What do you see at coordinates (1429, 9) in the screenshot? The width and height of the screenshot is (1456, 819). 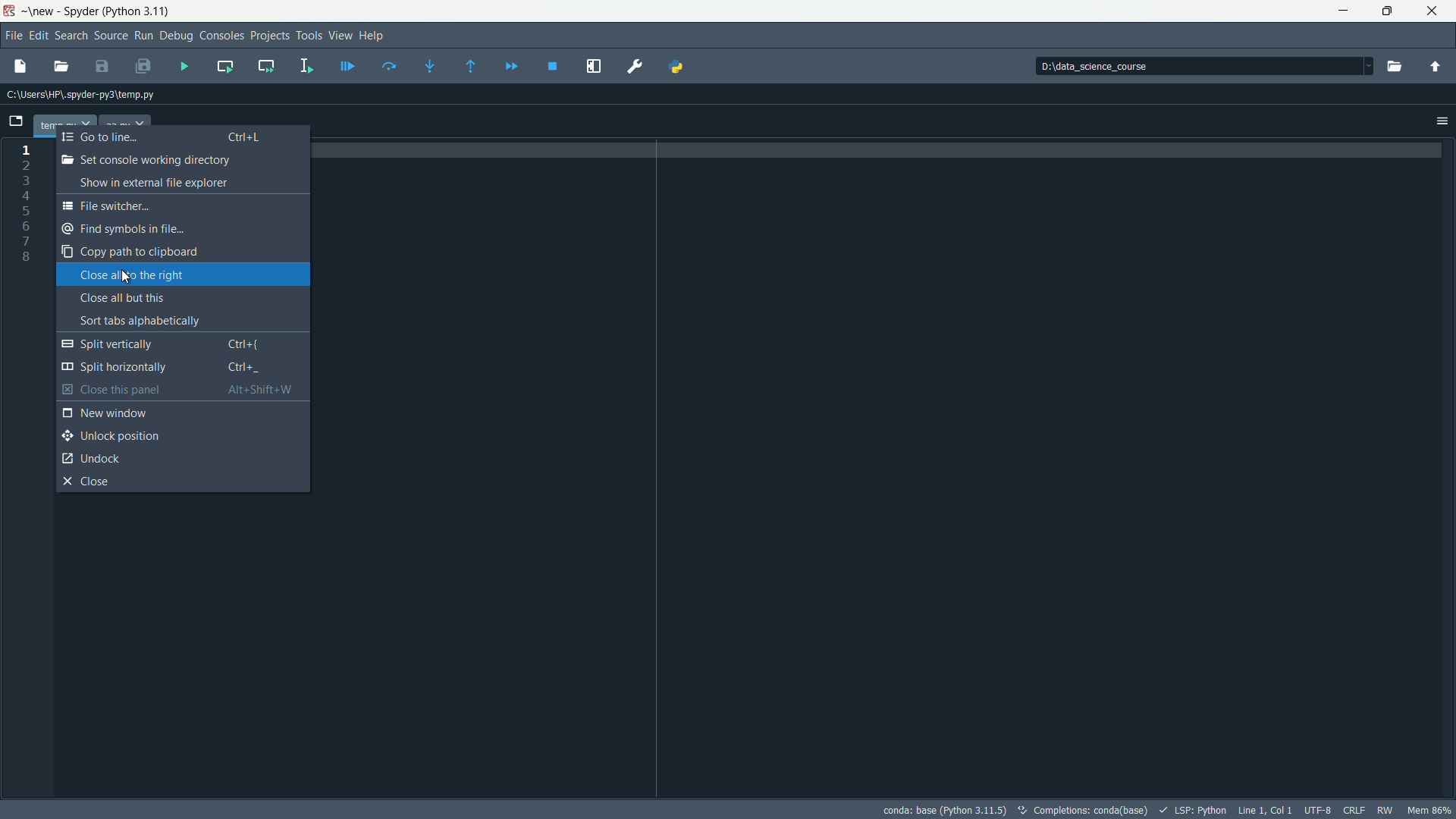 I see `close` at bounding box center [1429, 9].